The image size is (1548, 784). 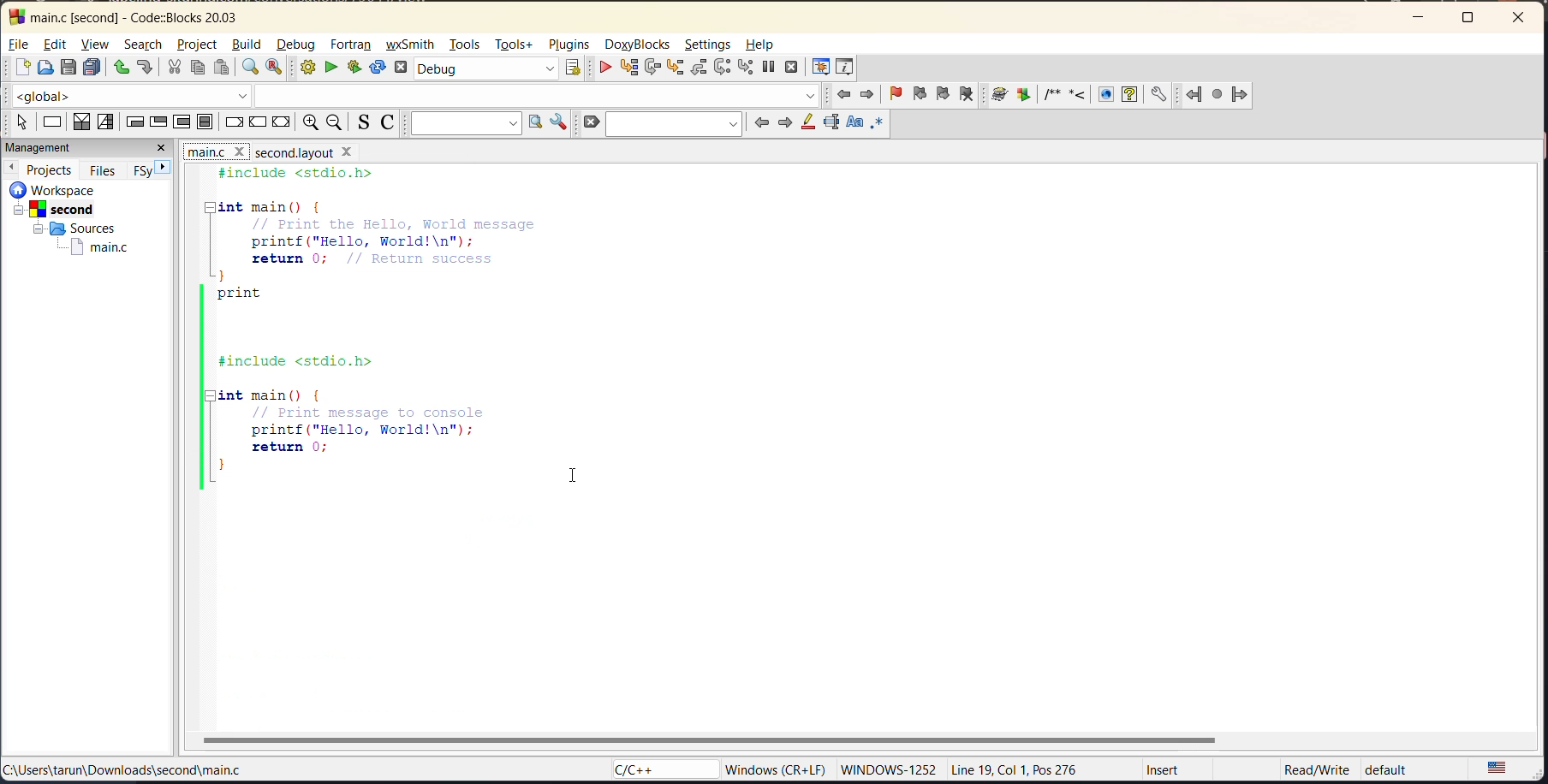 What do you see at coordinates (711, 740) in the screenshot?
I see `horizontal scroll bar` at bounding box center [711, 740].